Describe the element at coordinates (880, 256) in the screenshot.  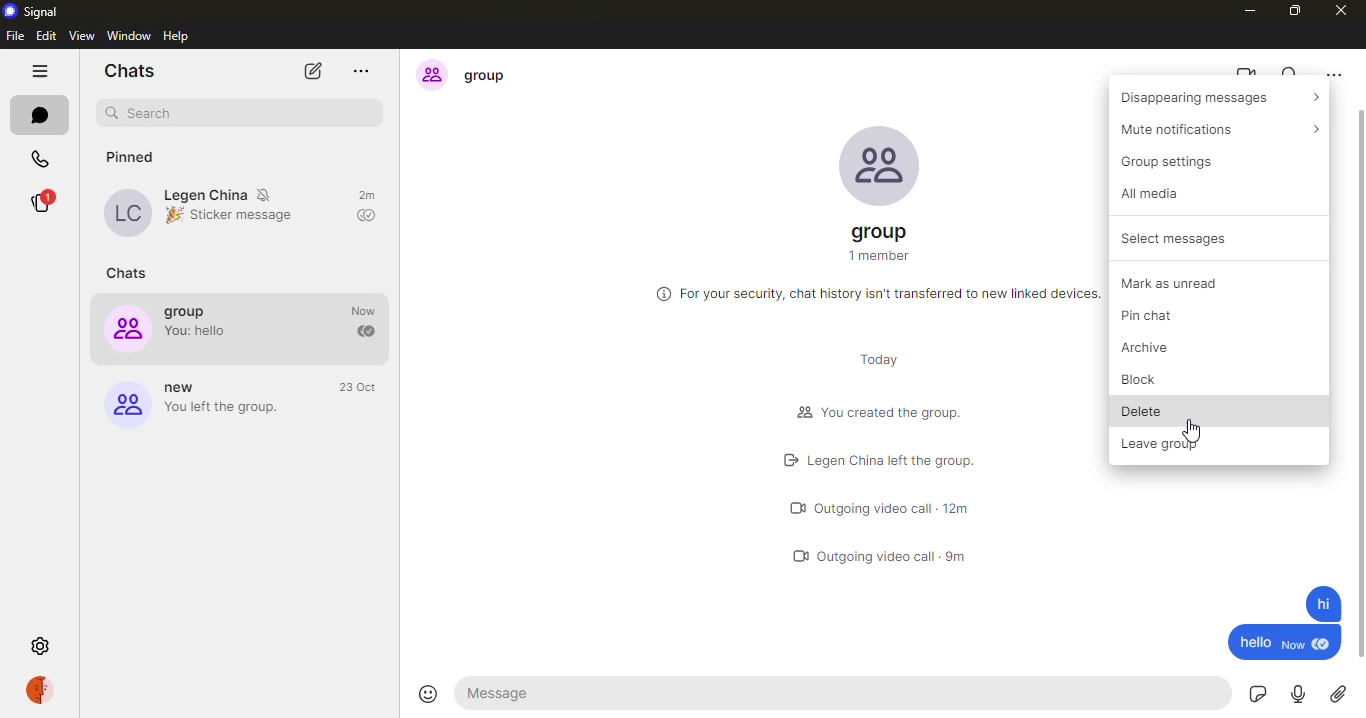
I see `1 member` at that location.